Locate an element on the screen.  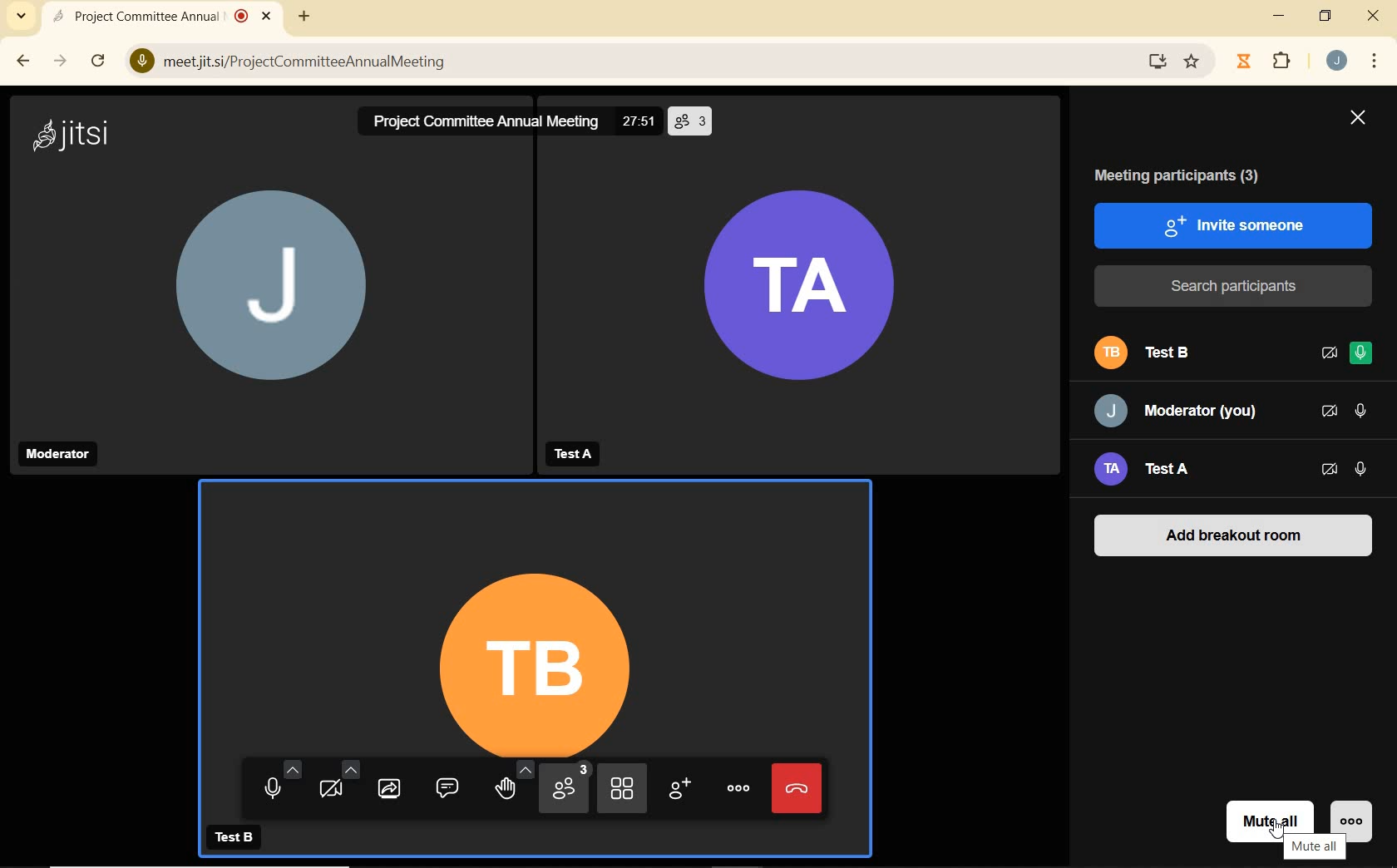
ADD BREAKOUT ROOM is located at coordinates (1232, 539).